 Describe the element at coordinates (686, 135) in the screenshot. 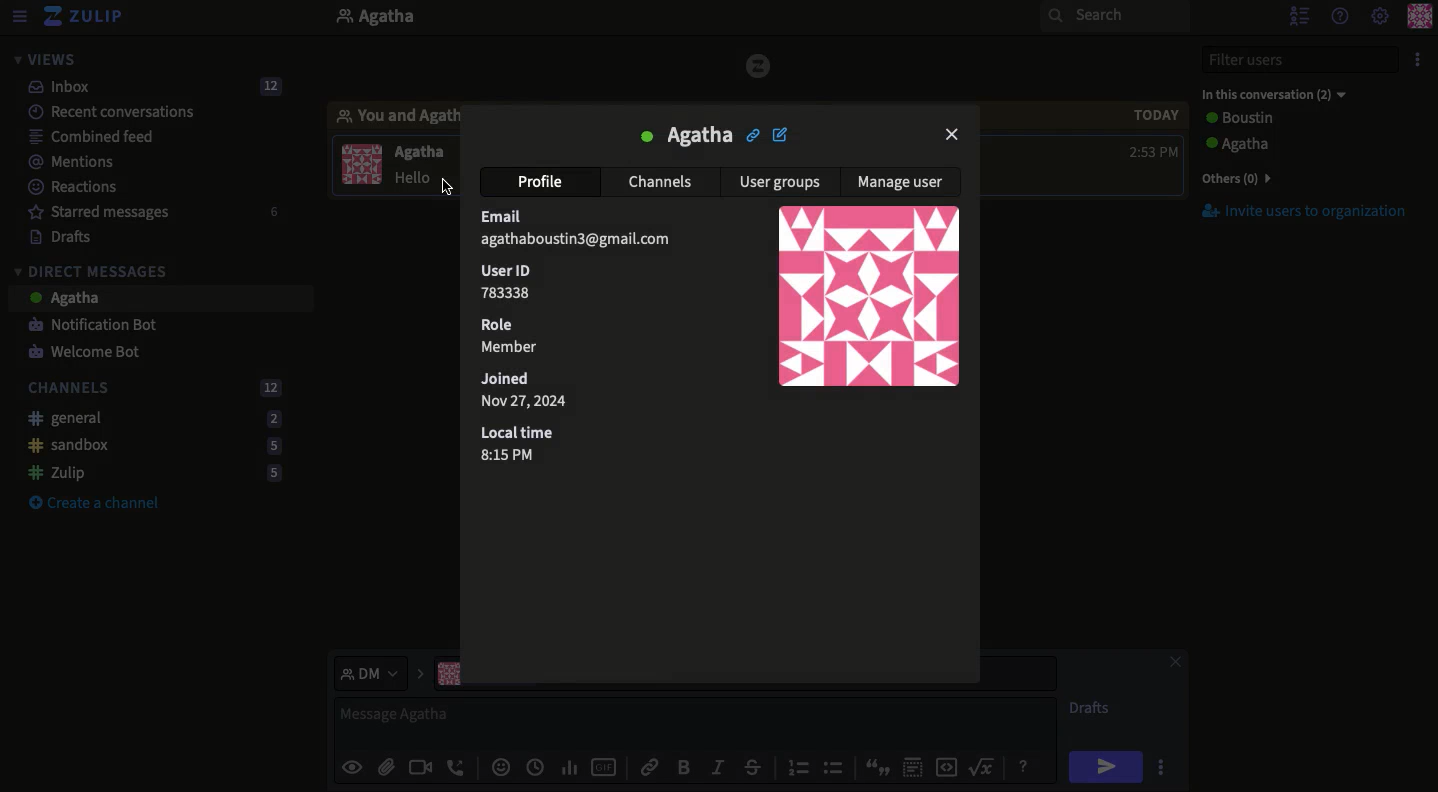

I see `User` at that location.